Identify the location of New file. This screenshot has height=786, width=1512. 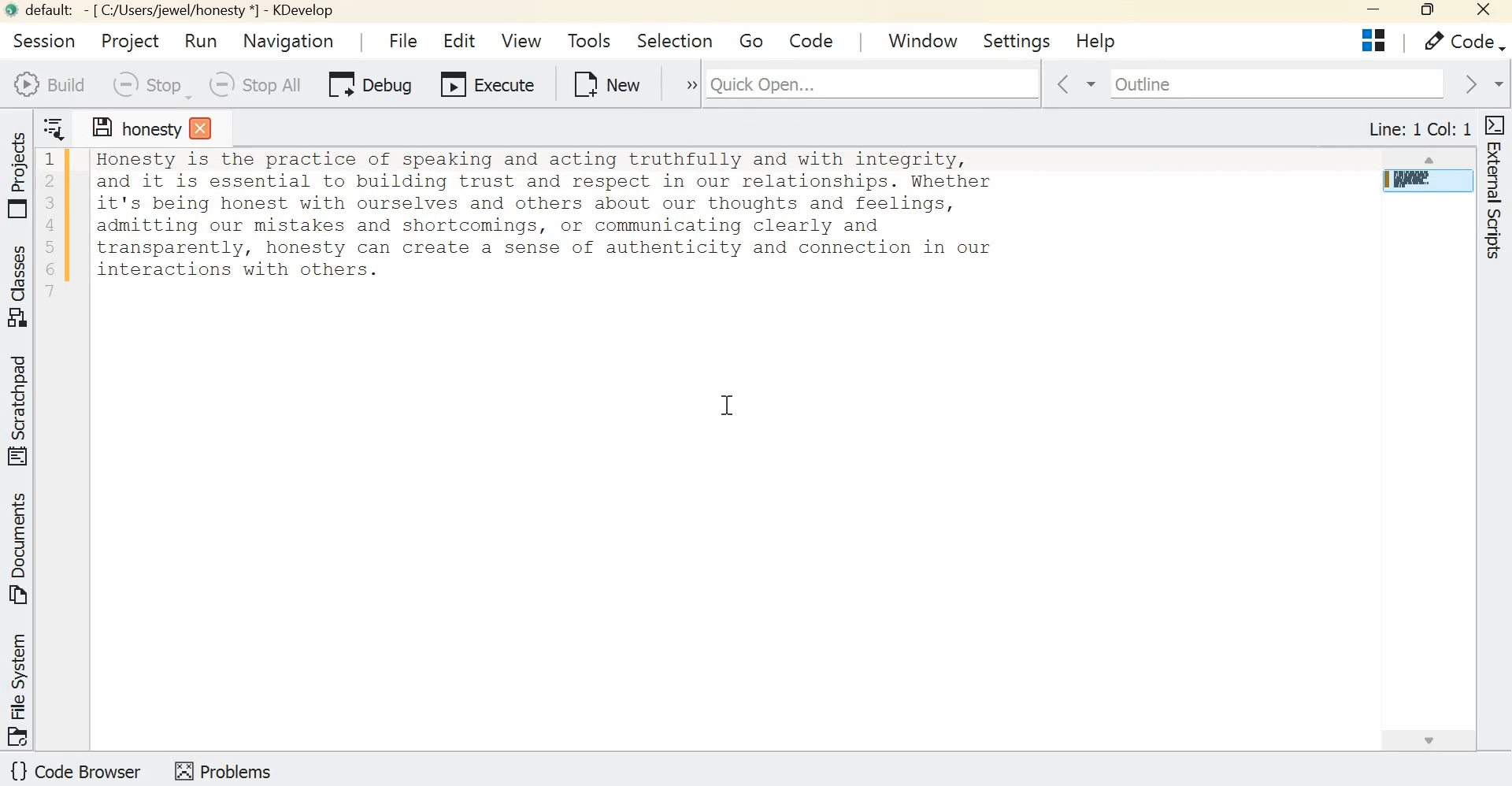
(608, 83).